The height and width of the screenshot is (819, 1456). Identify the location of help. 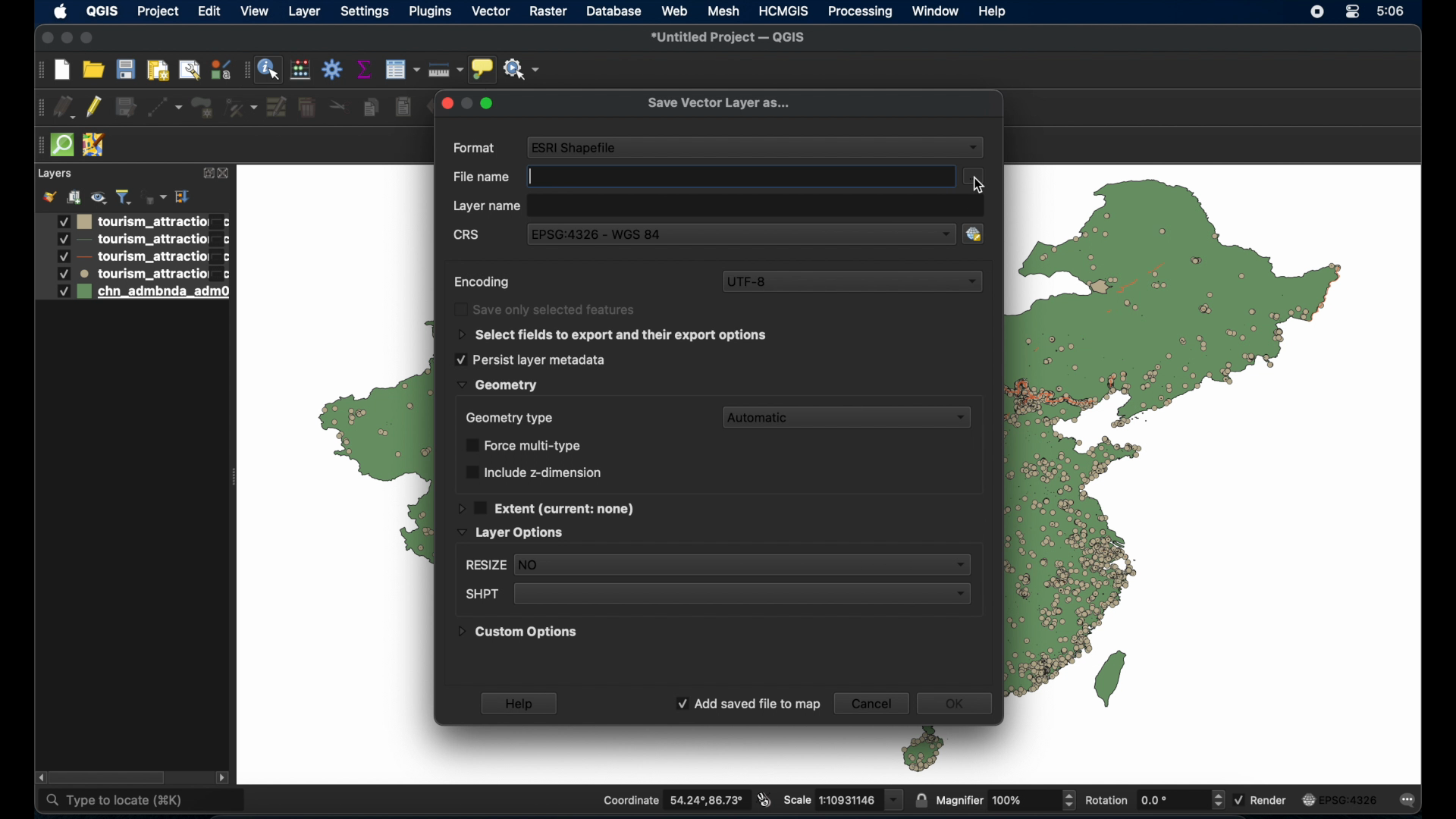
(521, 703).